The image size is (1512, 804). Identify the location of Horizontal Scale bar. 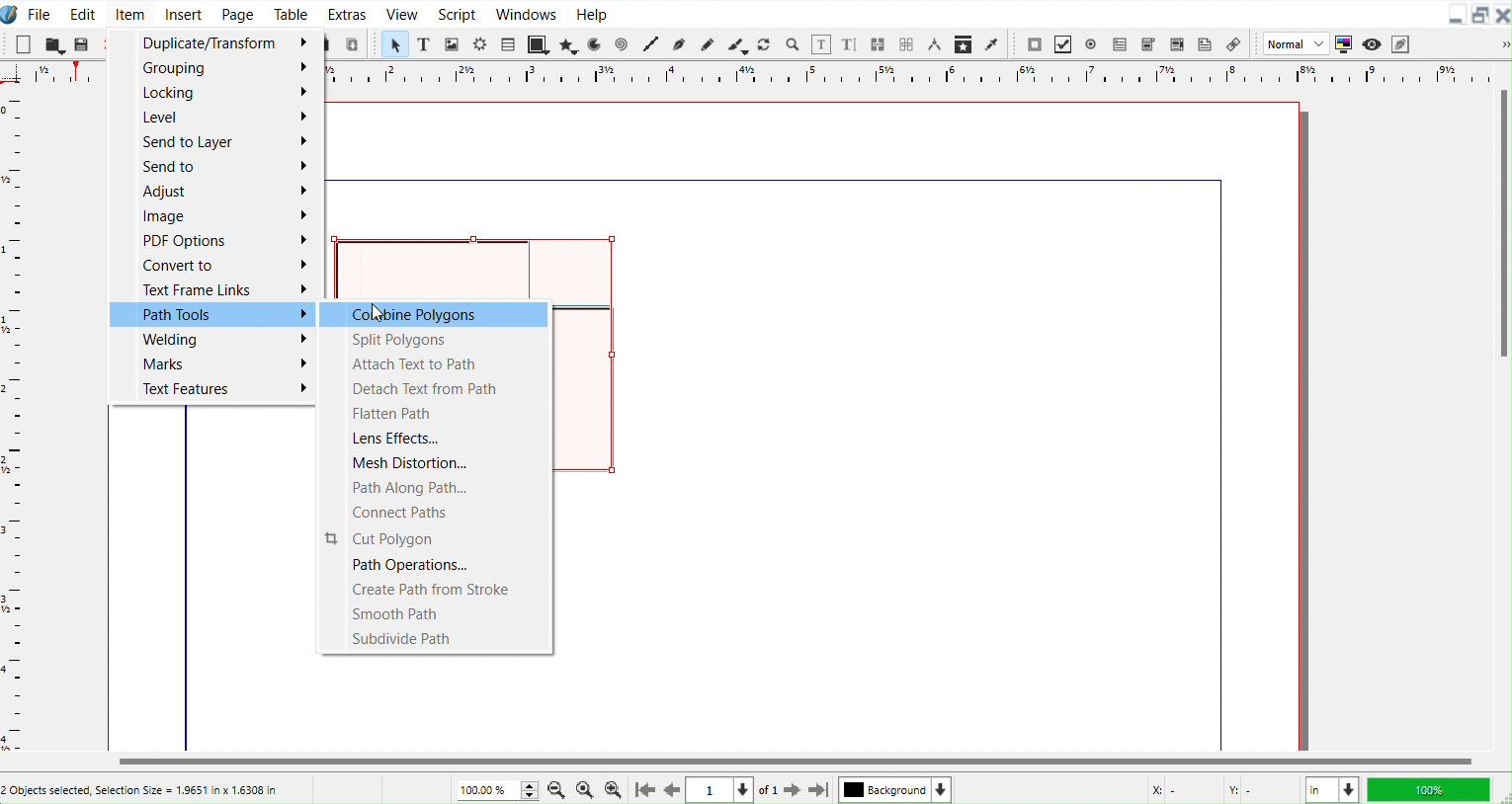
(15, 423).